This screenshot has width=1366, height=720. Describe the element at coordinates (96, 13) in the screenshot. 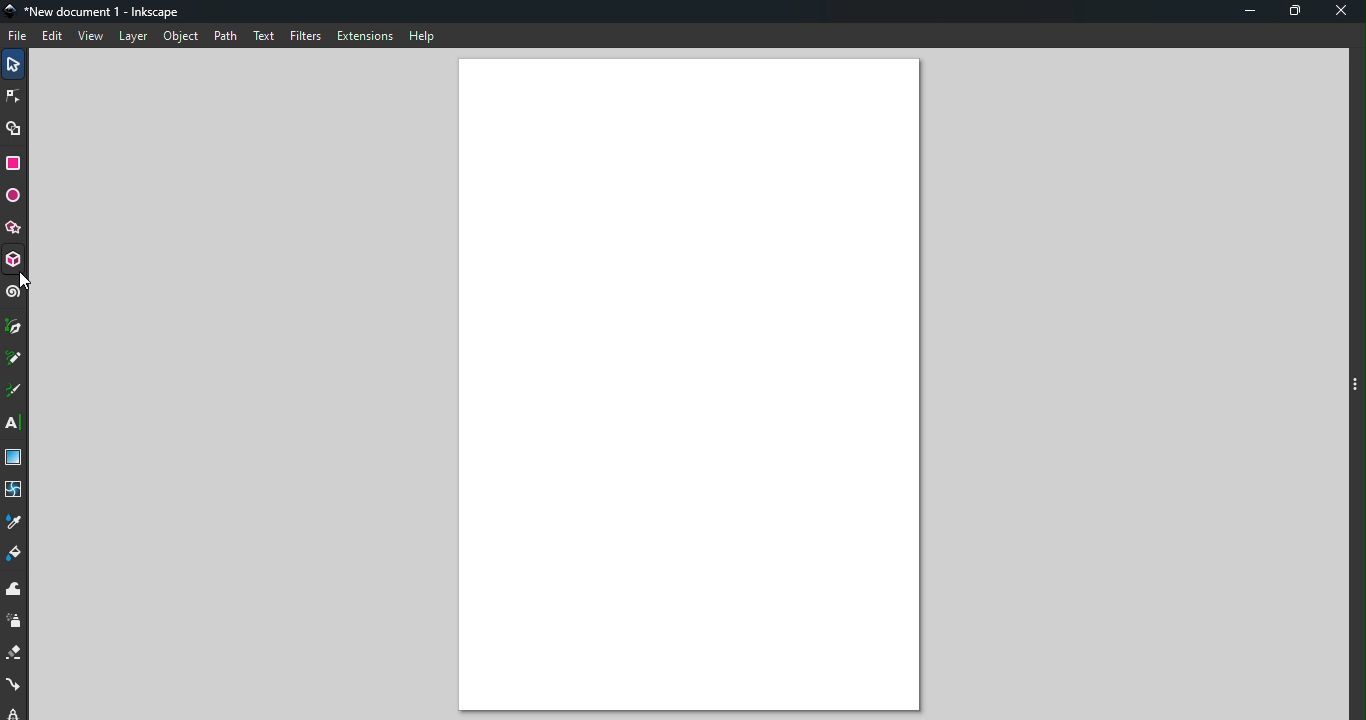

I see ` *New document 1 - Inkscape` at that location.